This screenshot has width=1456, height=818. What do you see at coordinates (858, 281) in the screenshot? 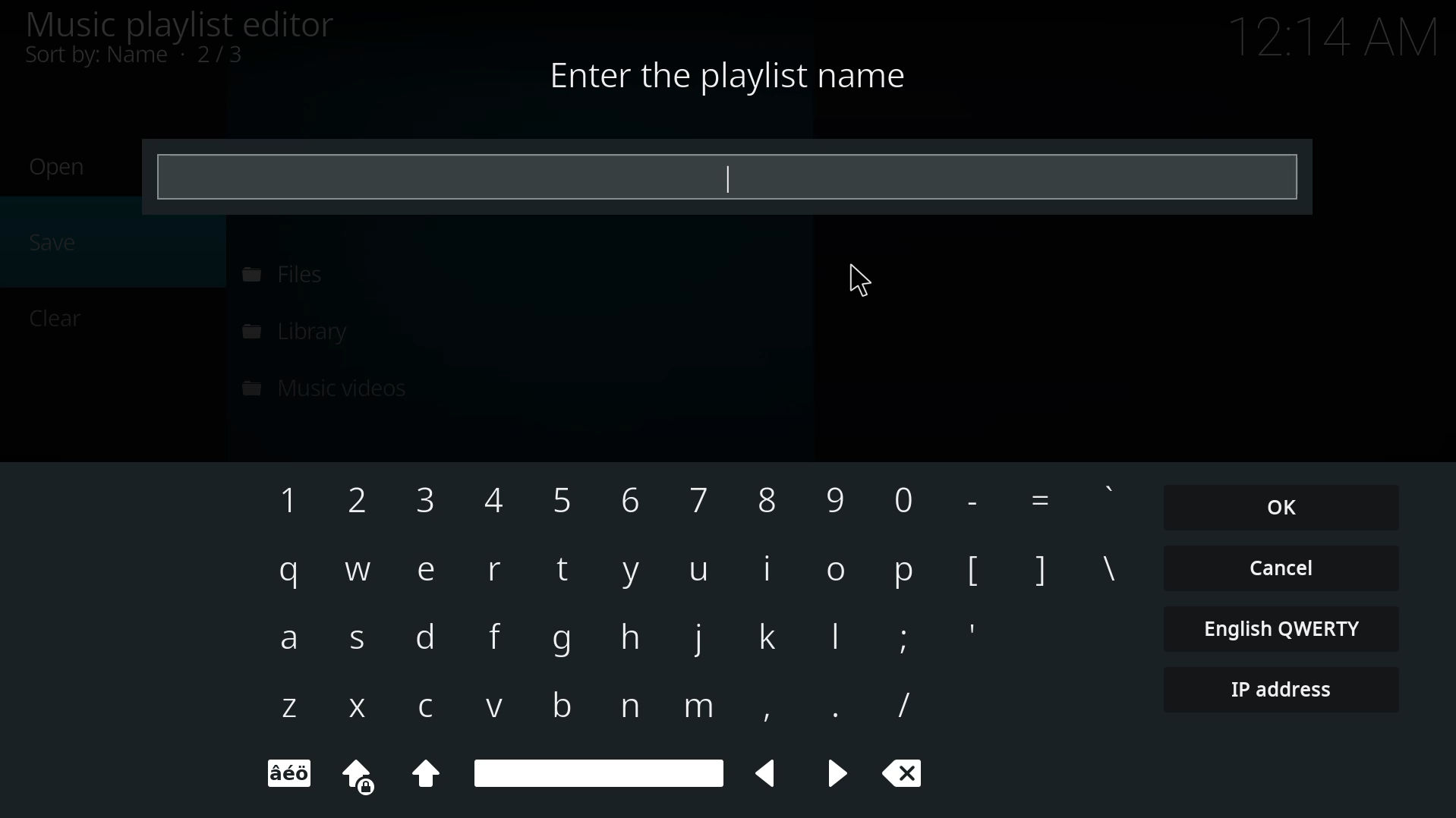
I see `cursor` at bounding box center [858, 281].